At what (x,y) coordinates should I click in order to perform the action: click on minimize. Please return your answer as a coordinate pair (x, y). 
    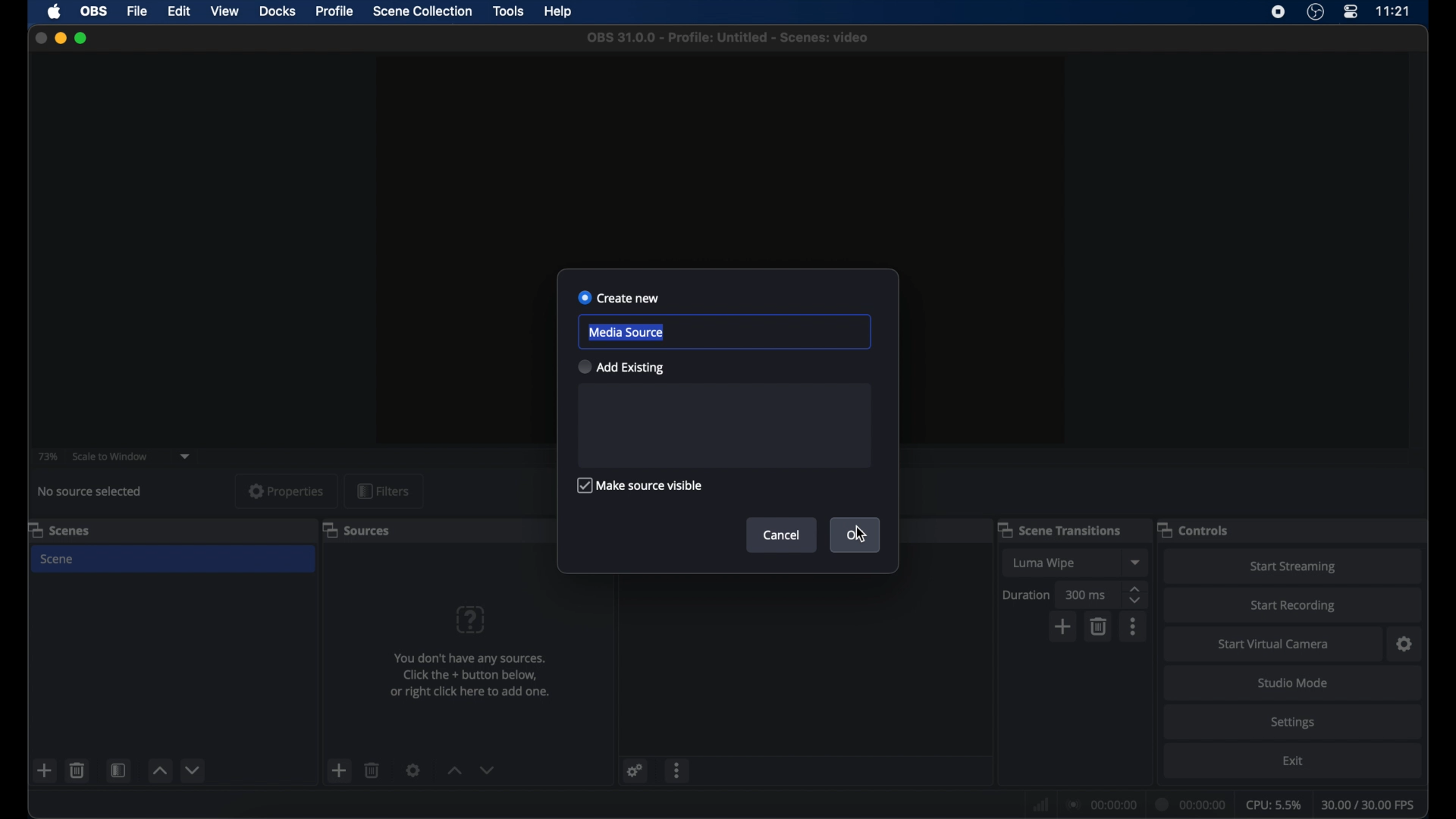
    Looking at the image, I should click on (60, 38).